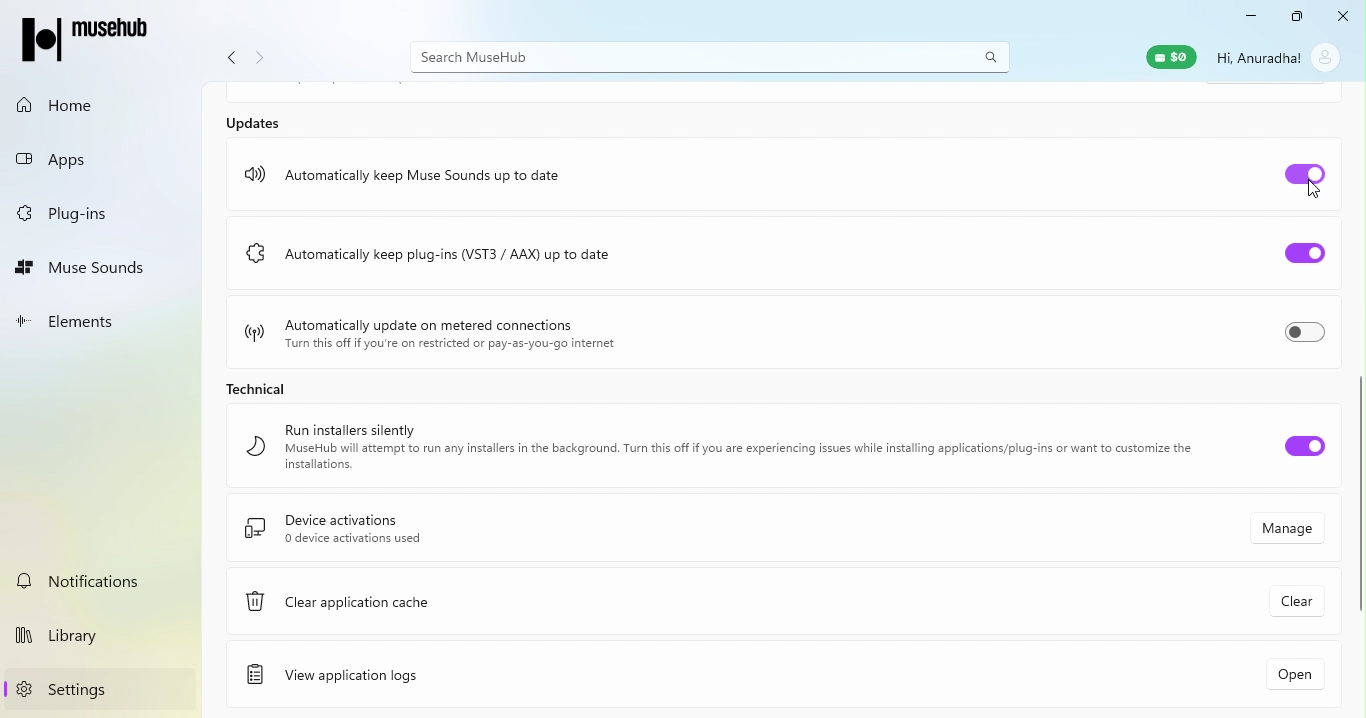 The height and width of the screenshot is (718, 1366). Describe the element at coordinates (710, 56) in the screenshot. I see `Search bar` at that location.